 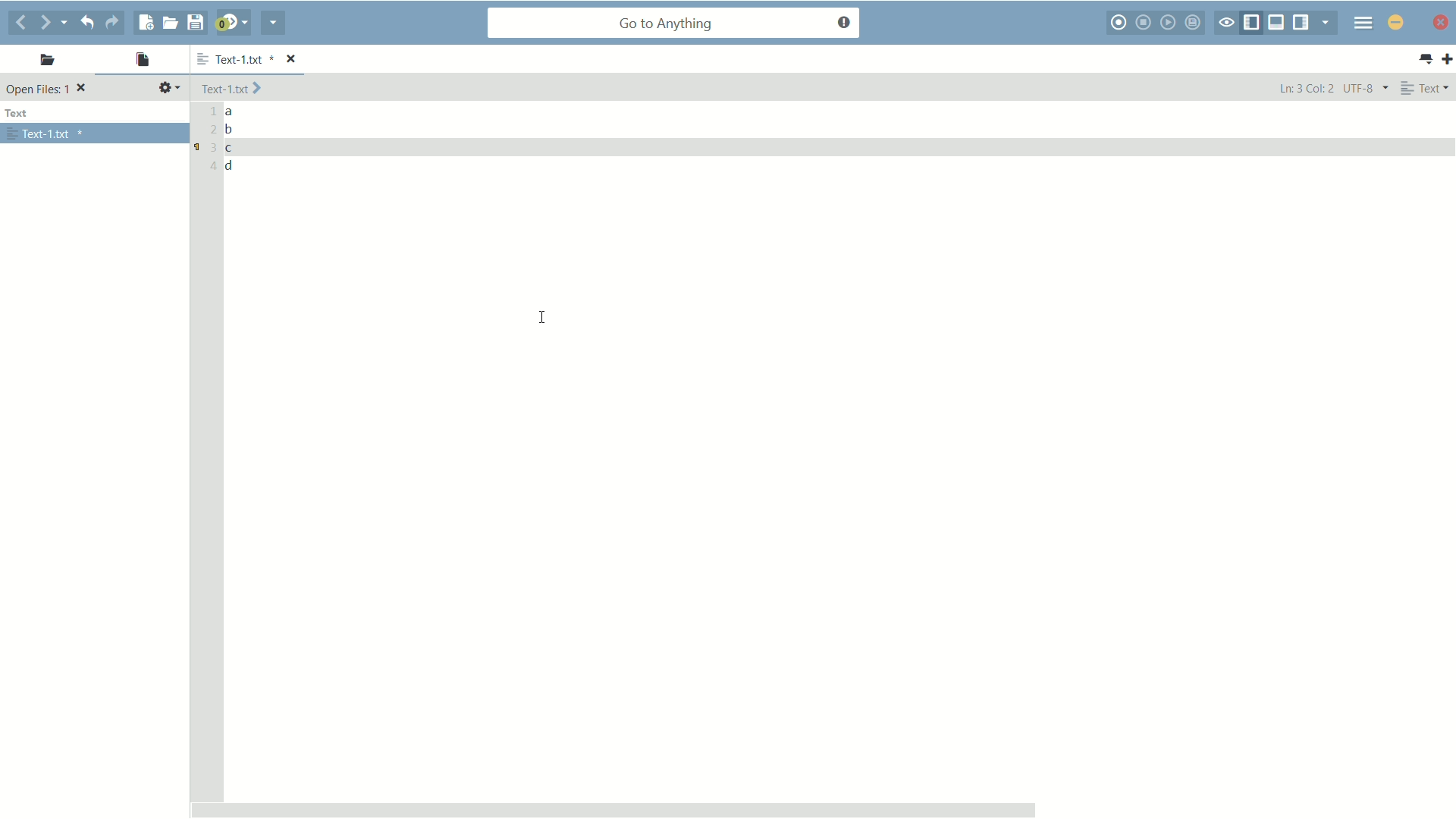 I want to click on open files, so click(x=142, y=60).